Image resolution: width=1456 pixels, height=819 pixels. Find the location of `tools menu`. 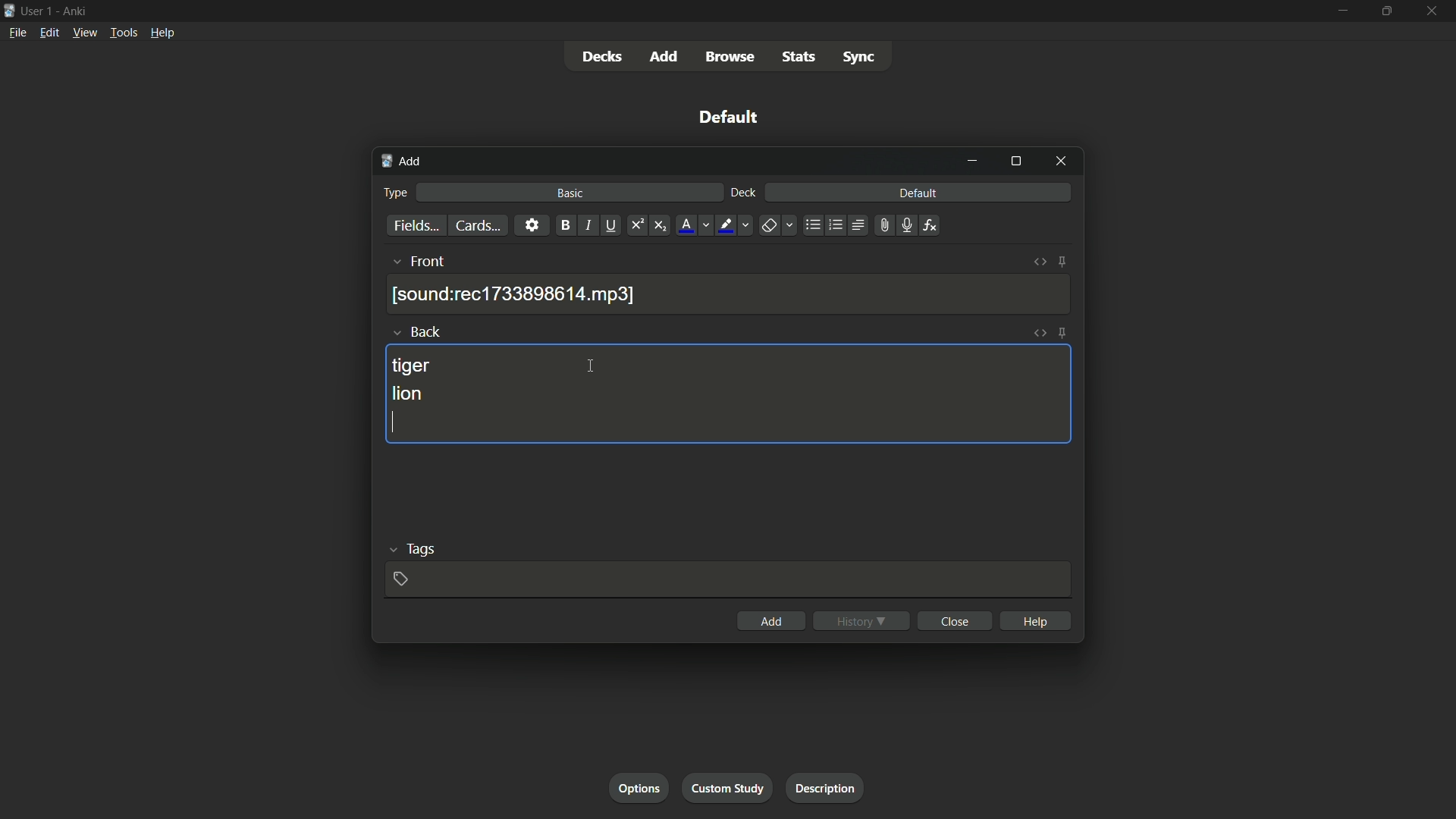

tools menu is located at coordinates (124, 33).